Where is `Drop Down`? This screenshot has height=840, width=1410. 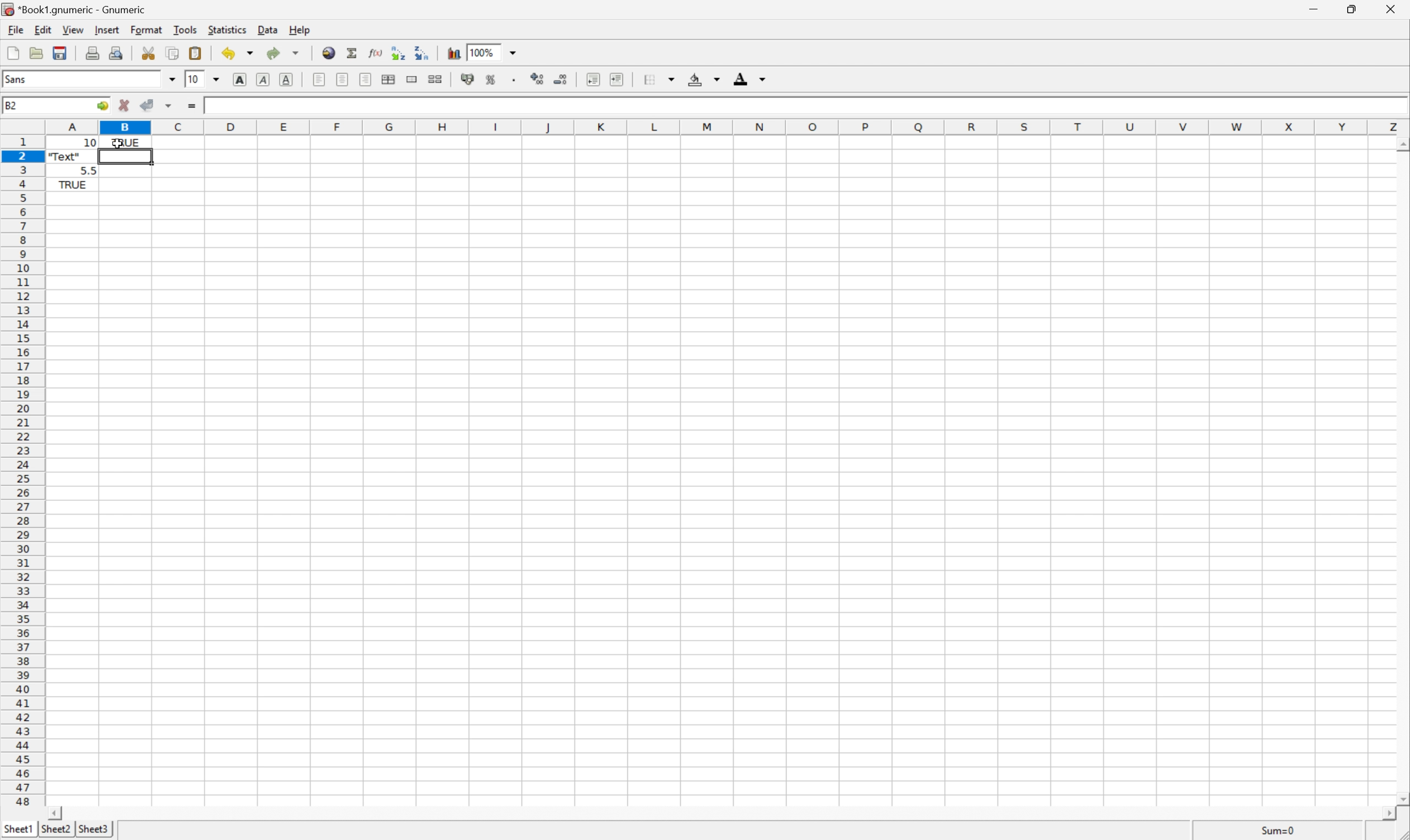 Drop Down is located at coordinates (512, 52).